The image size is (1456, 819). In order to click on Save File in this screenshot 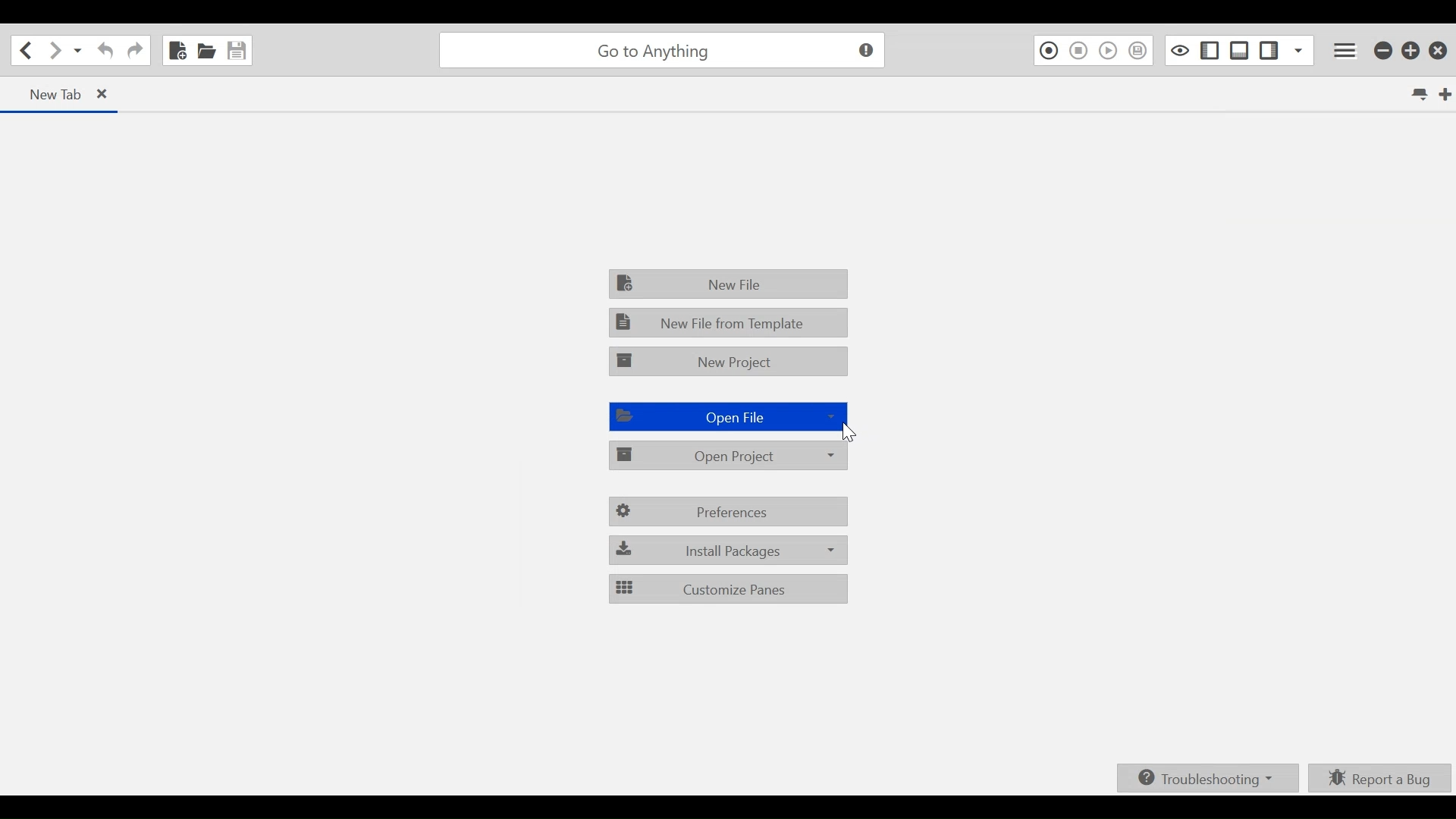, I will do `click(239, 49)`.